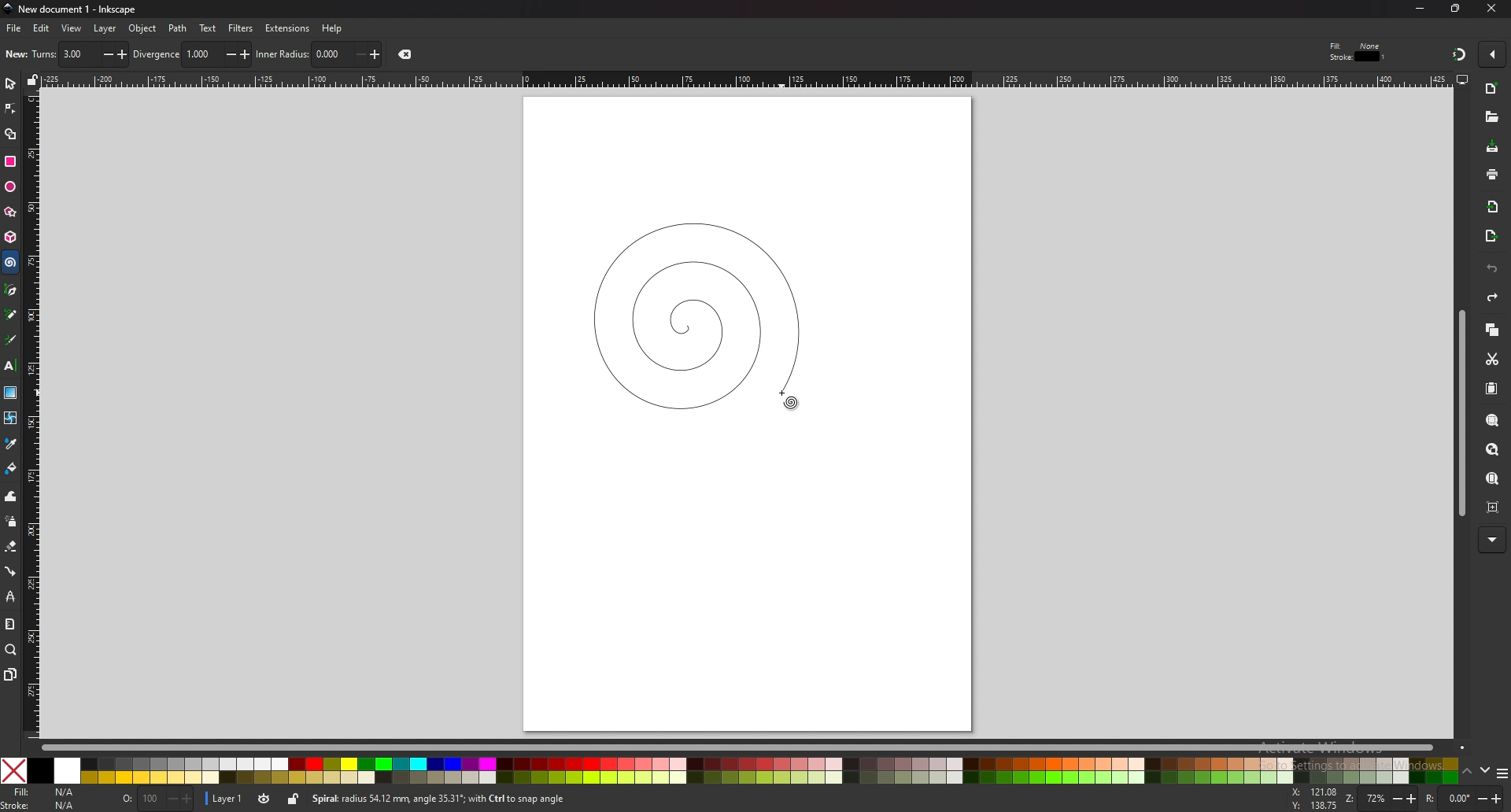  Describe the element at coordinates (694, 314) in the screenshot. I see `spiral` at that location.